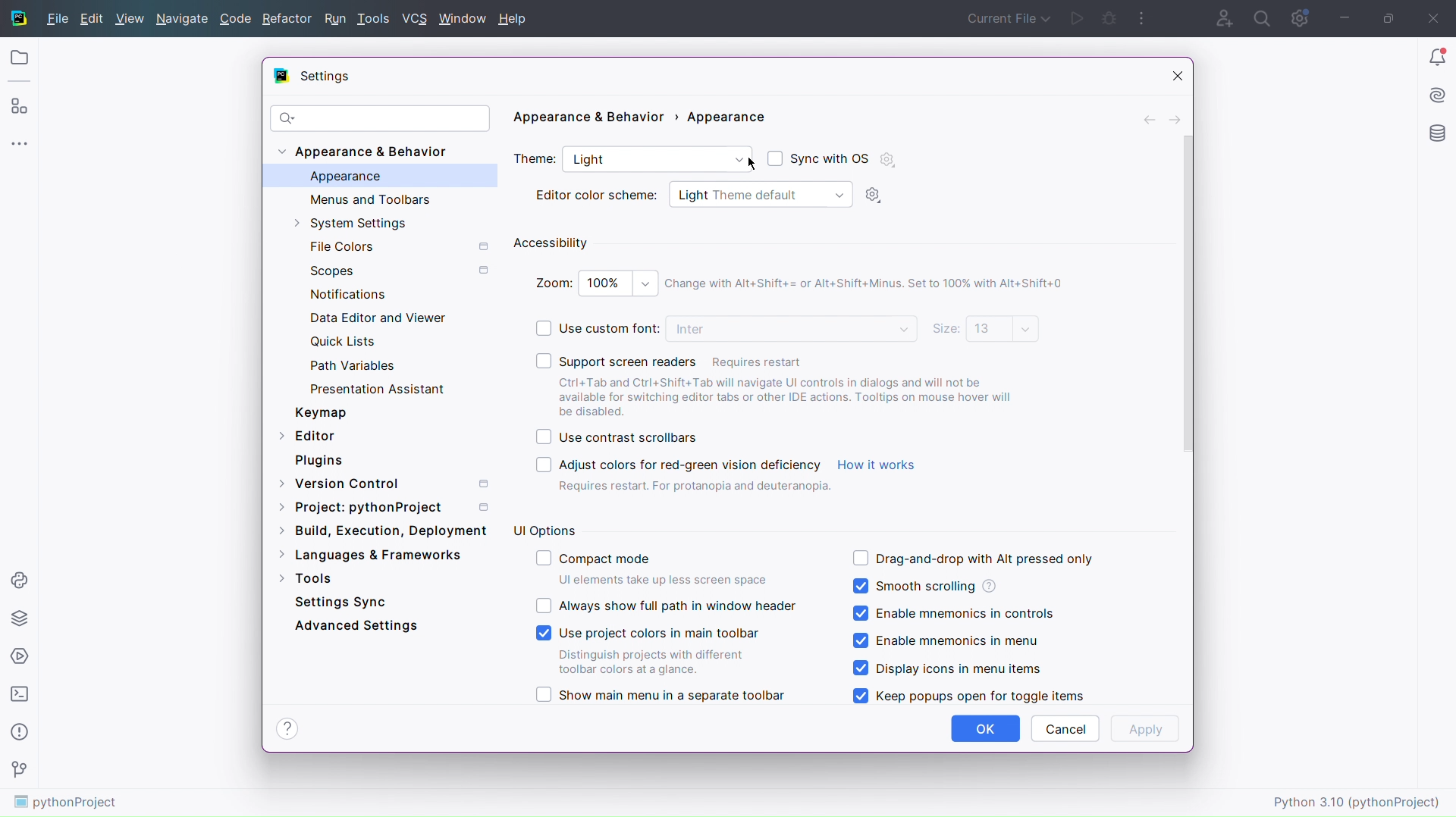  I want to click on File Colors, so click(397, 246).